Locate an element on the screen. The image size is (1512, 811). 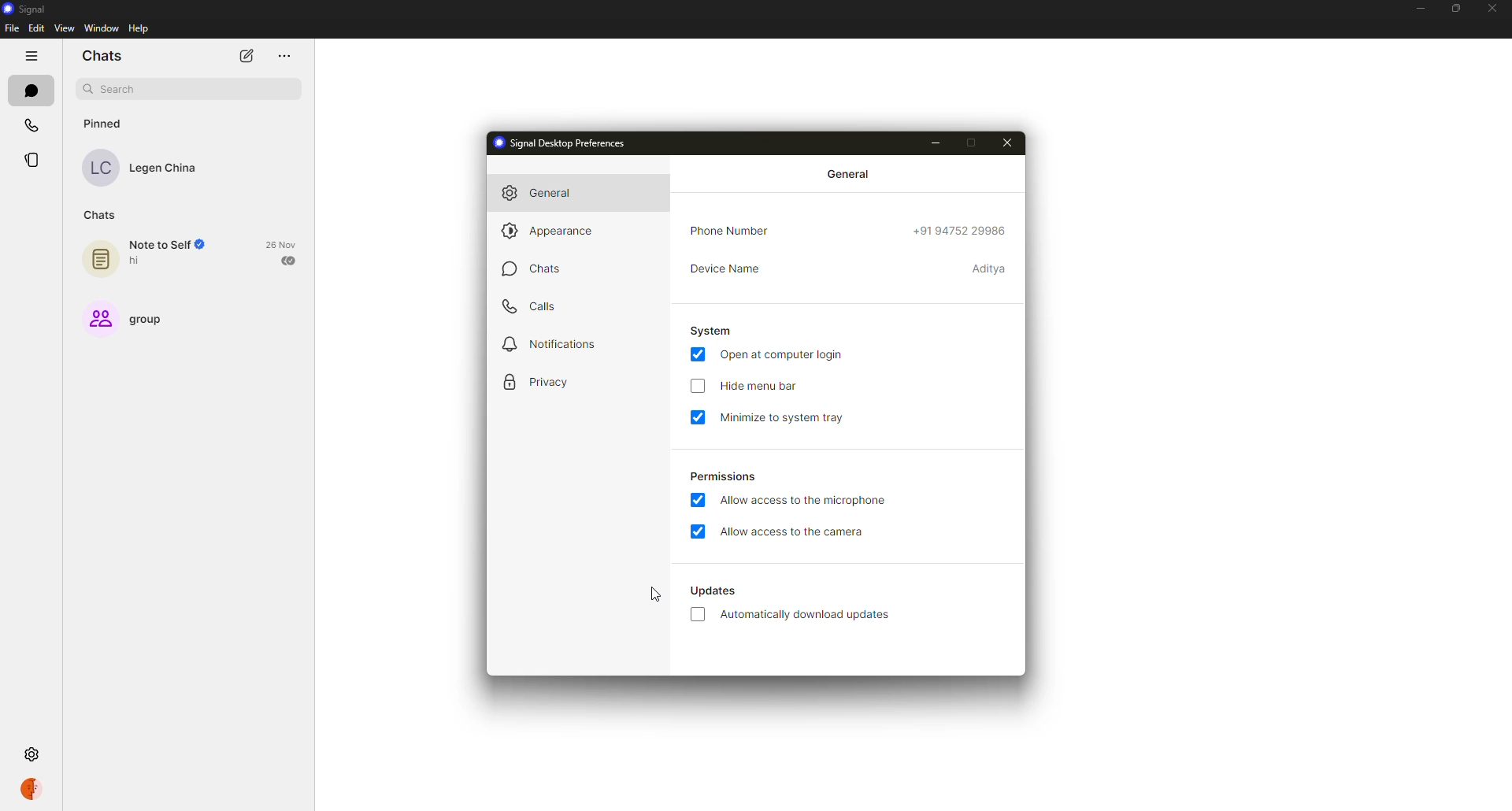
pinned is located at coordinates (103, 123).